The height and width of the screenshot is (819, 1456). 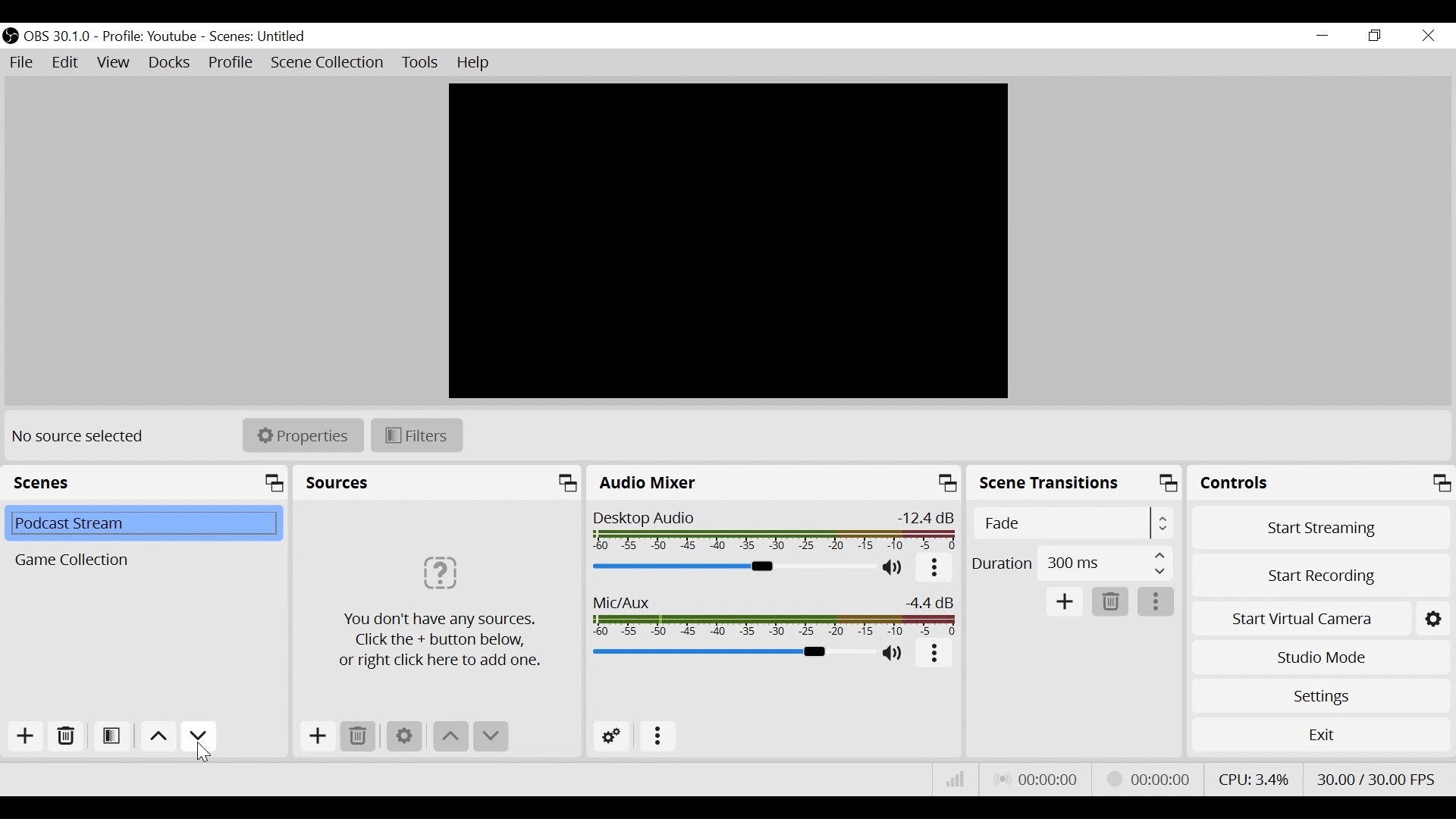 I want to click on Delete, so click(x=67, y=736).